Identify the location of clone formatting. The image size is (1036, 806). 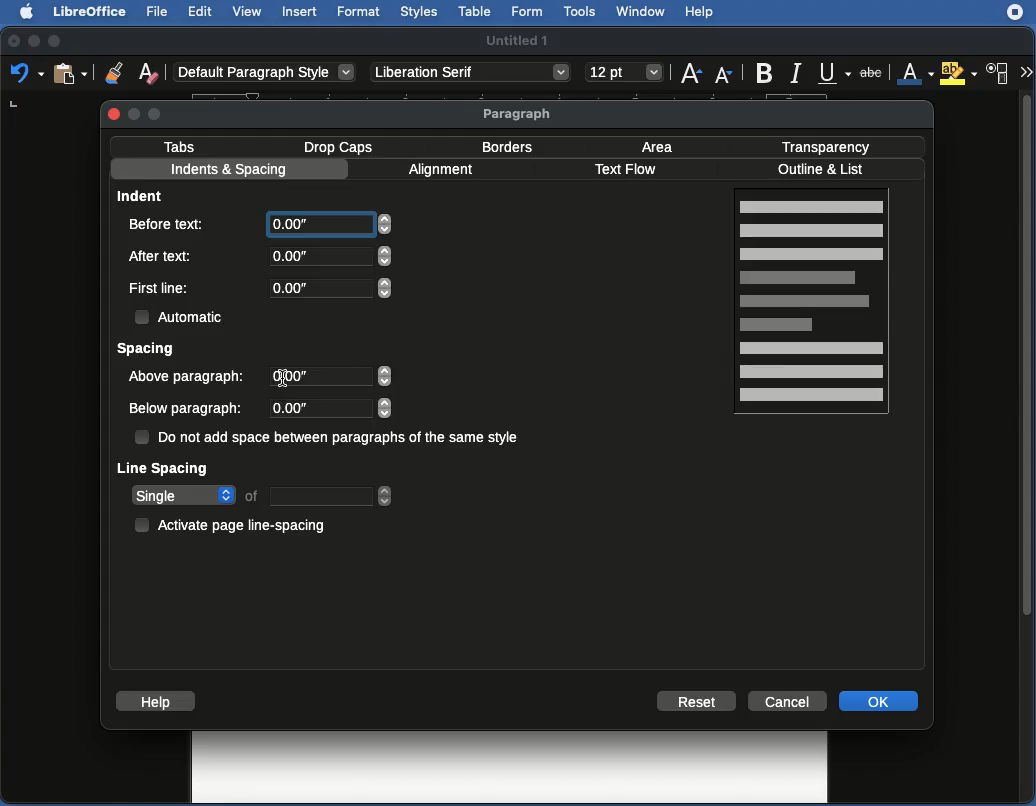
(108, 72).